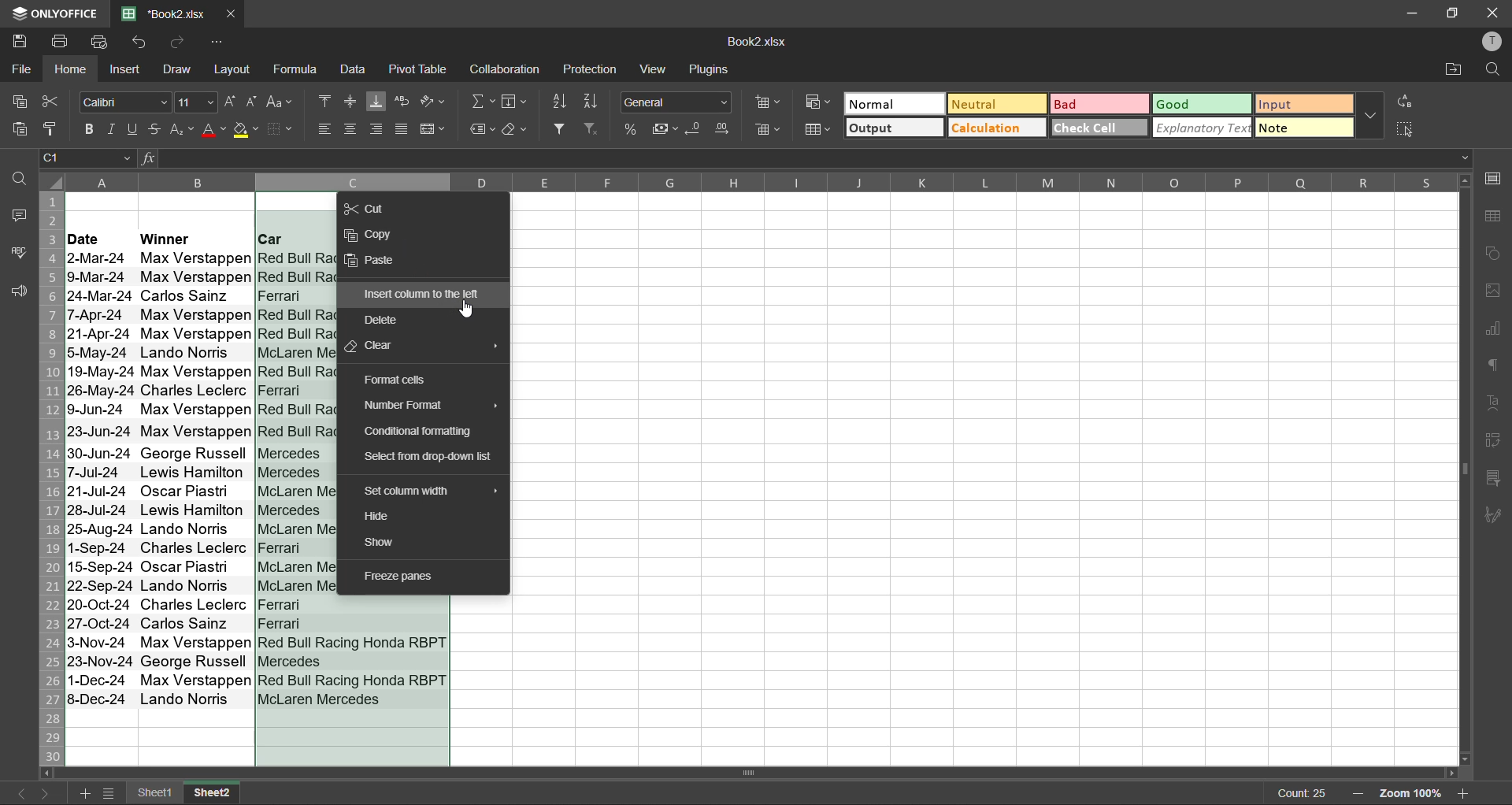 This screenshot has width=1512, height=805. Describe the element at coordinates (249, 132) in the screenshot. I see `fill color` at that location.